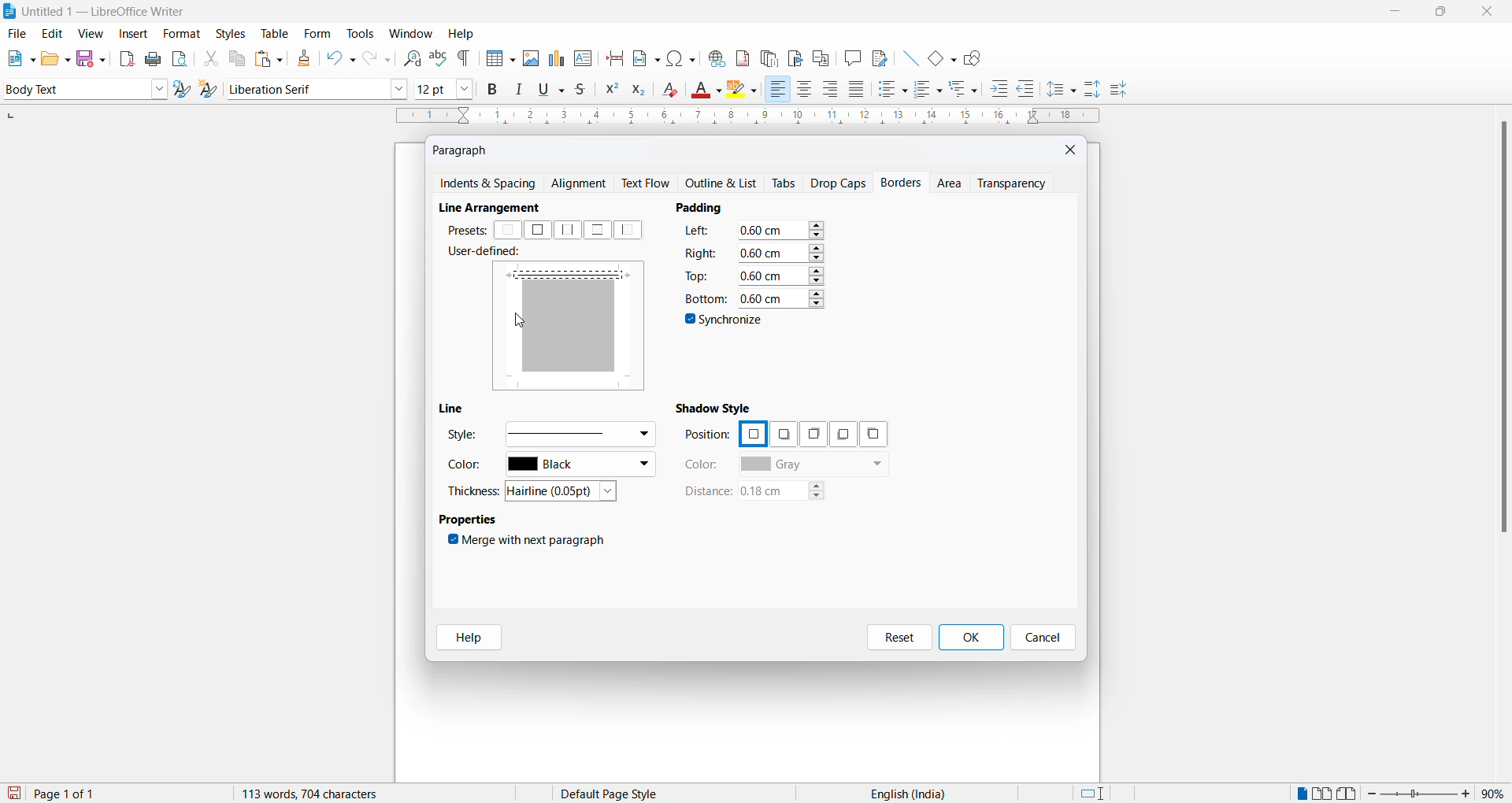 This screenshot has height=803, width=1512. I want to click on form, so click(317, 33).